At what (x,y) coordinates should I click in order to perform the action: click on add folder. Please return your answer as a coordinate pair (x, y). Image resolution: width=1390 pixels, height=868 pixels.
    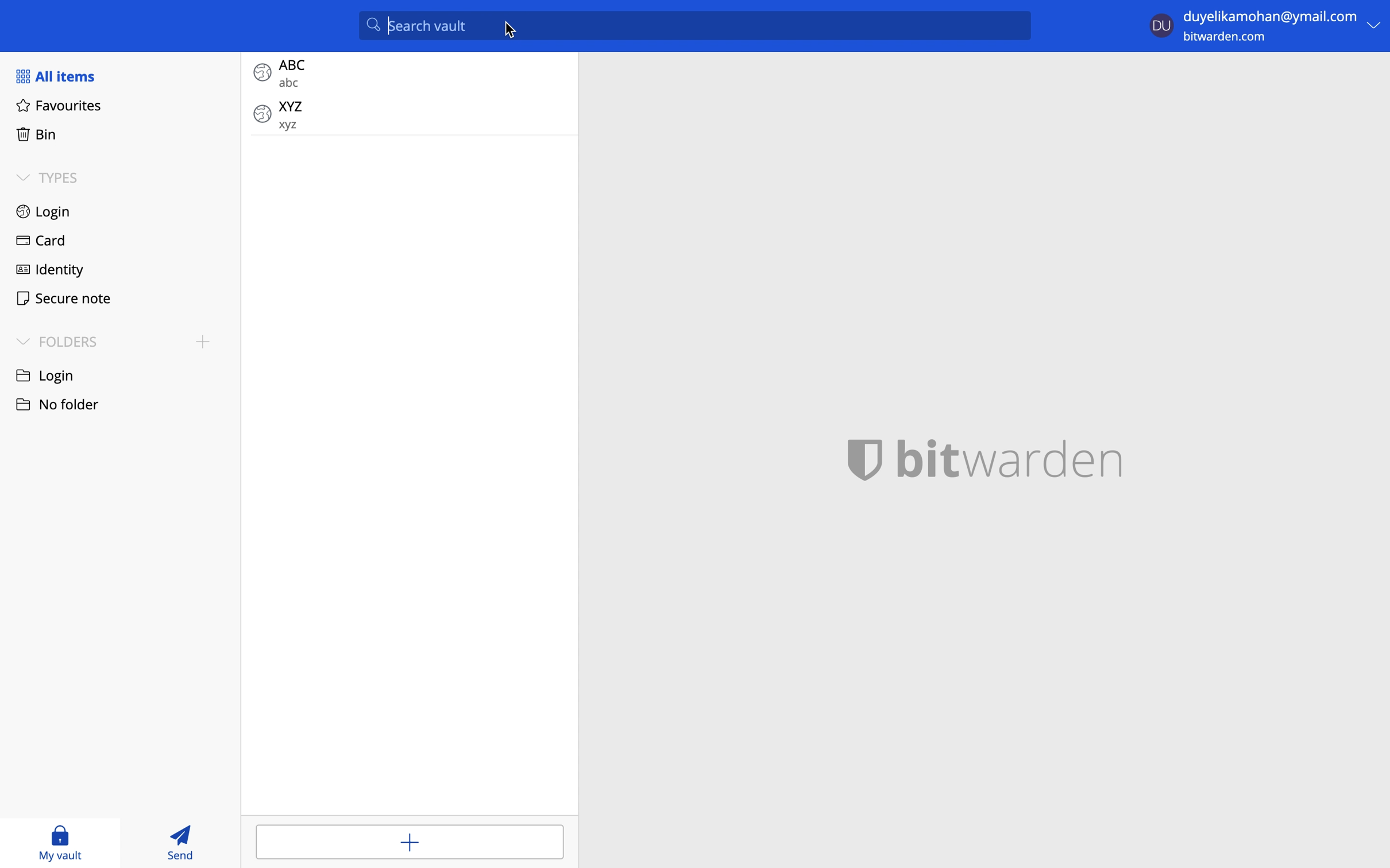
    Looking at the image, I should click on (202, 344).